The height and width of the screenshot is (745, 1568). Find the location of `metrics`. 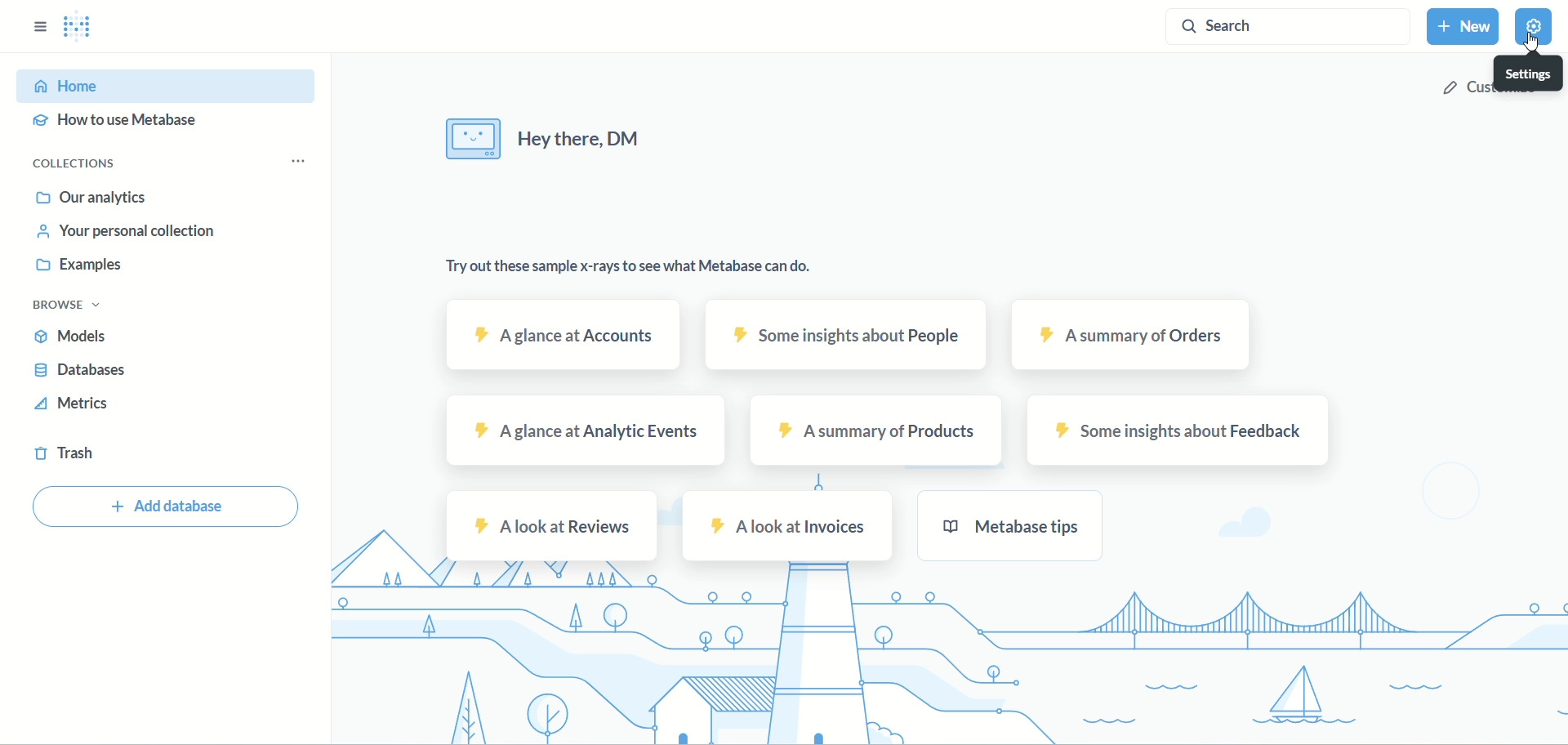

metrics is located at coordinates (78, 403).